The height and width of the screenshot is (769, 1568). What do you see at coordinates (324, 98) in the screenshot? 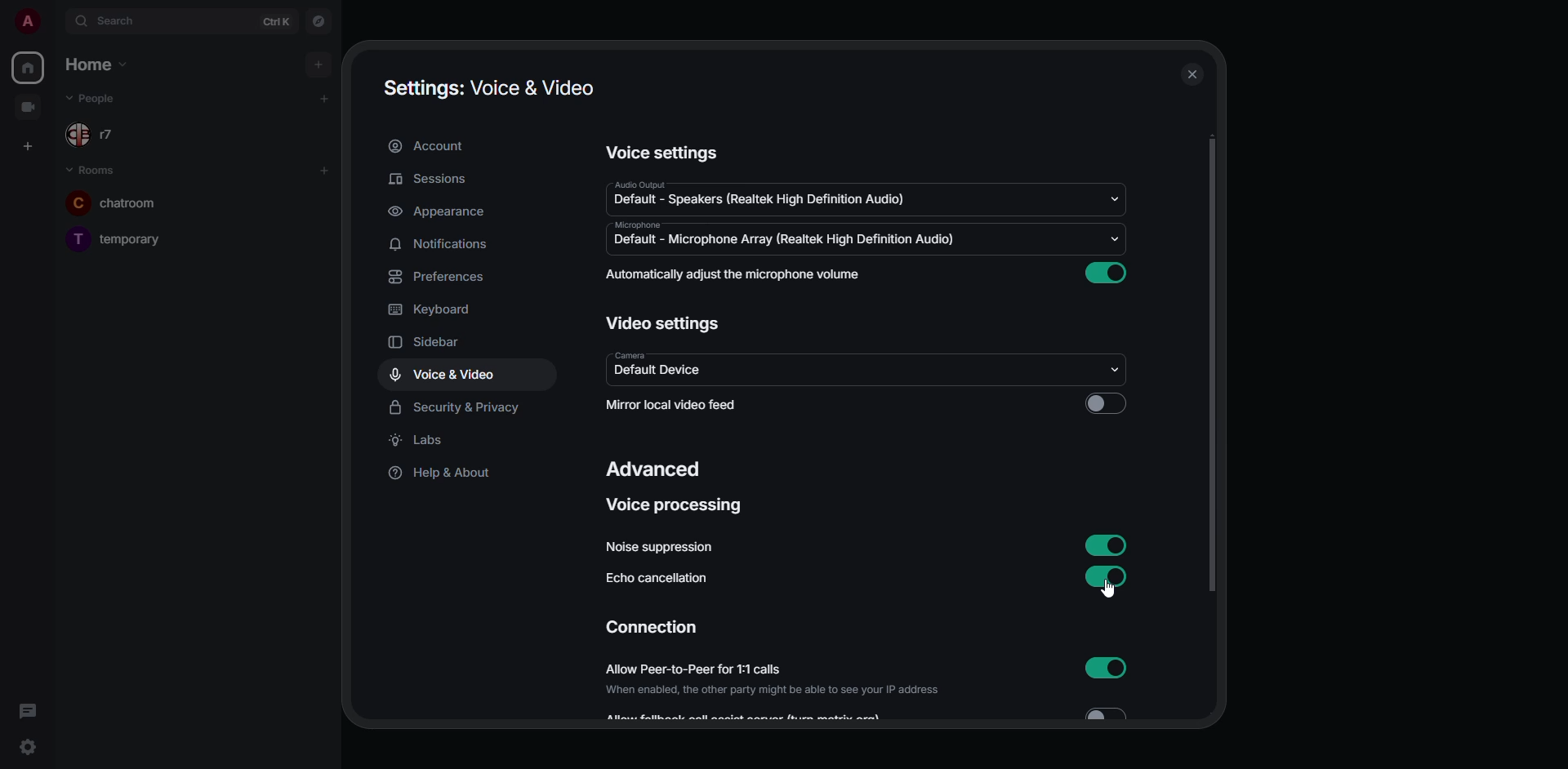
I see `add` at bounding box center [324, 98].